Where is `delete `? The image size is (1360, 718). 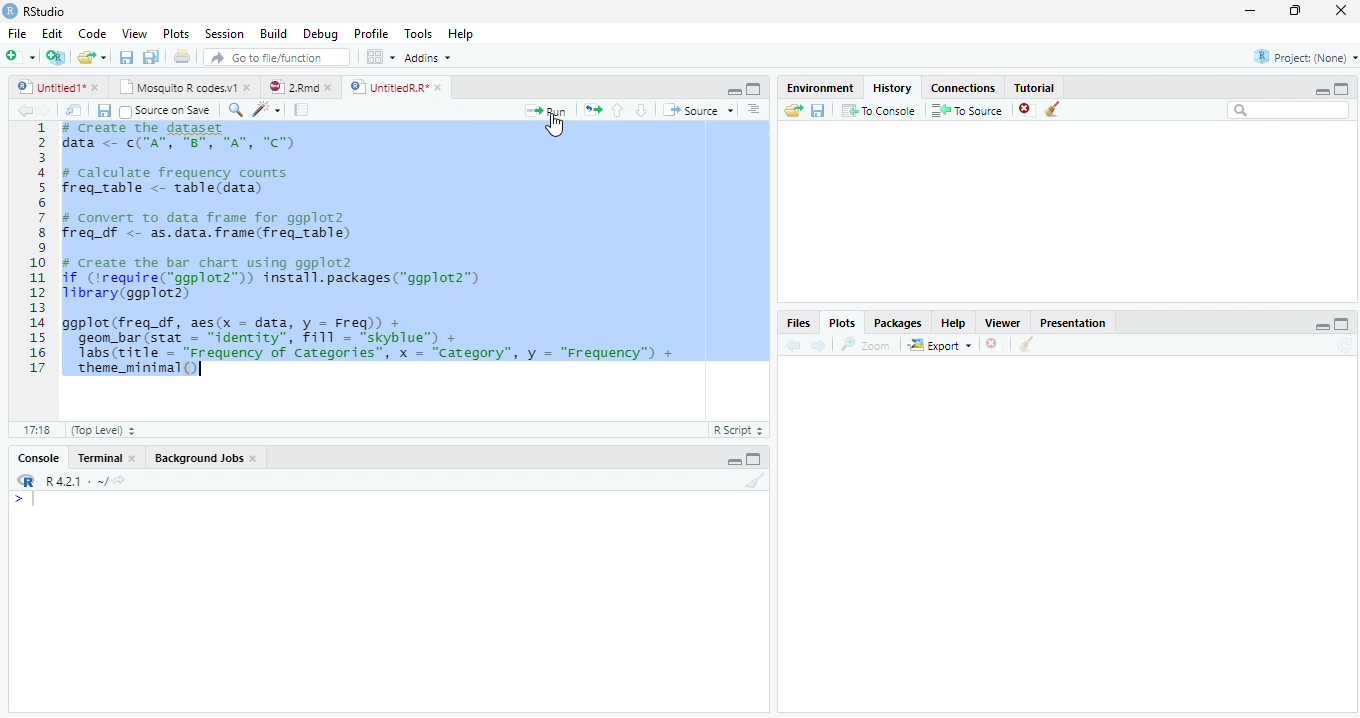
delete  is located at coordinates (994, 343).